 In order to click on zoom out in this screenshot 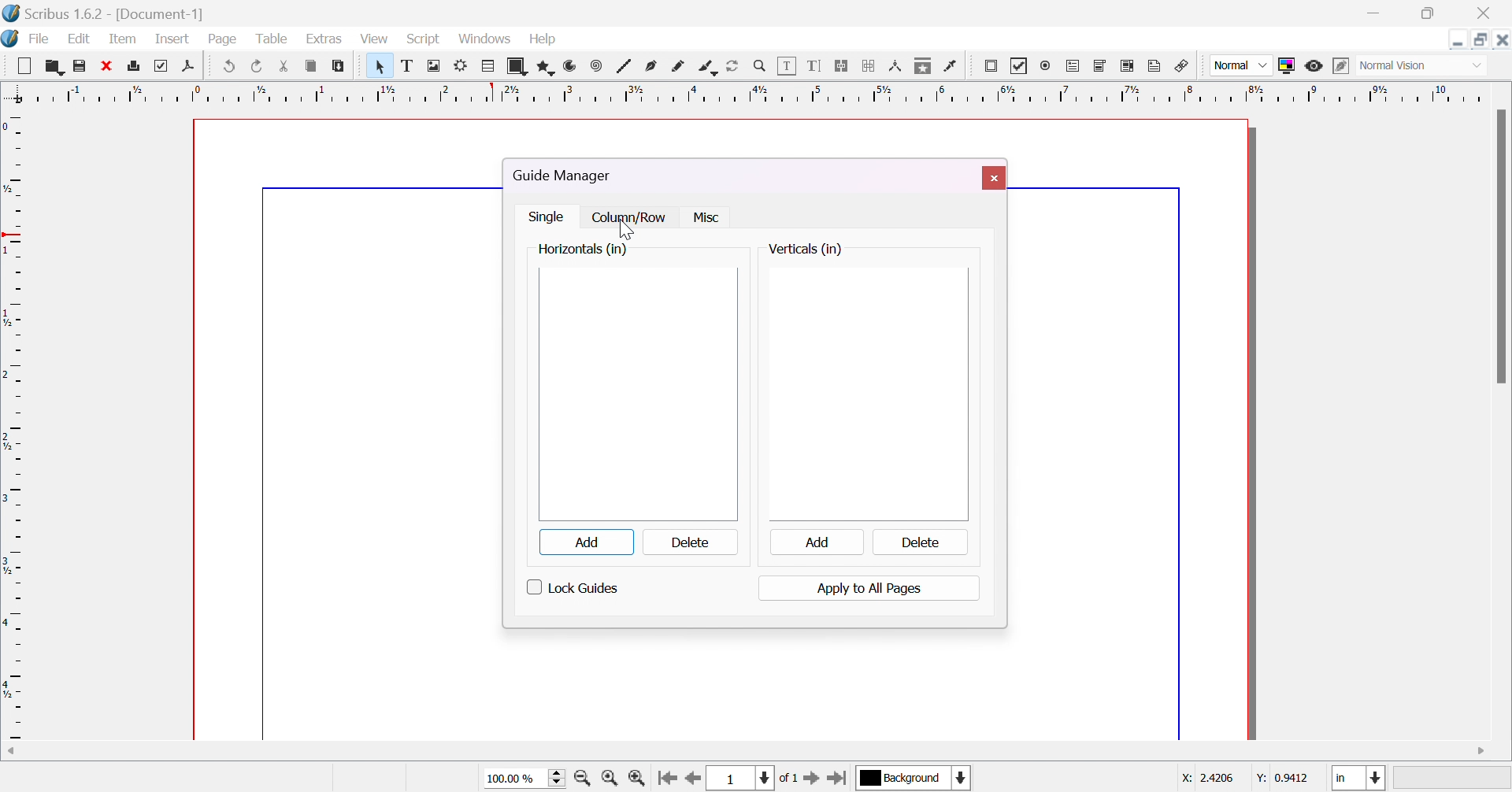, I will do `click(585, 777)`.